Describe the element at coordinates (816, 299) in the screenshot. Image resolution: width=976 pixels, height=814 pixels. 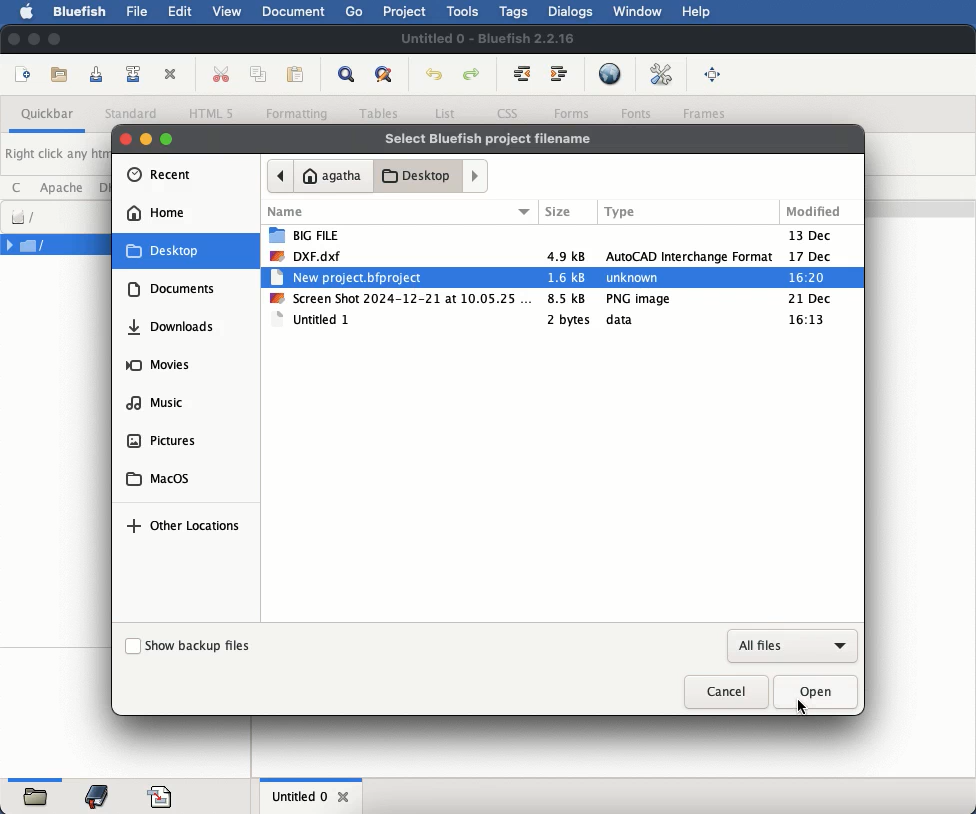
I see `21 dec` at that location.